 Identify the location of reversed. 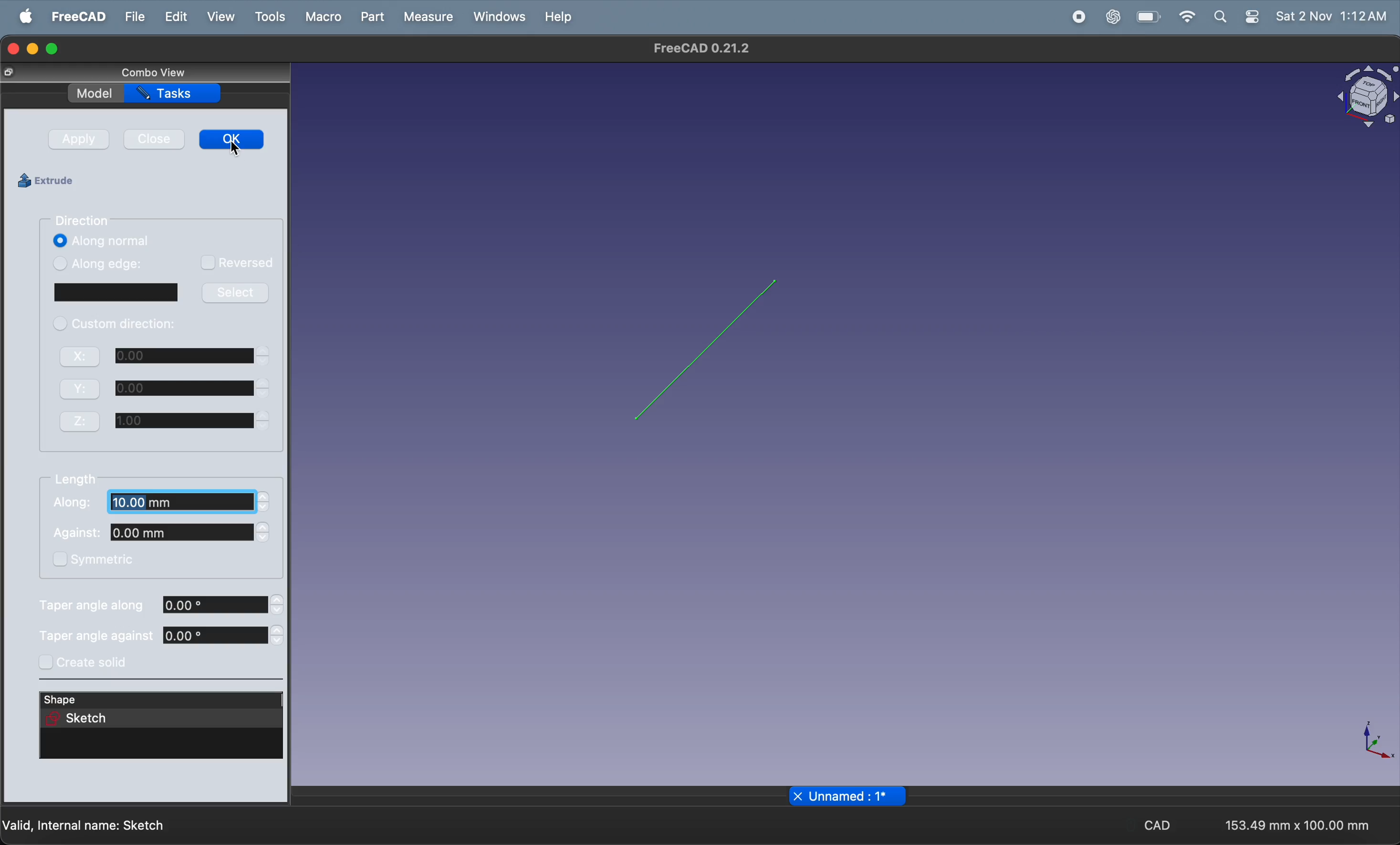
(240, 263).